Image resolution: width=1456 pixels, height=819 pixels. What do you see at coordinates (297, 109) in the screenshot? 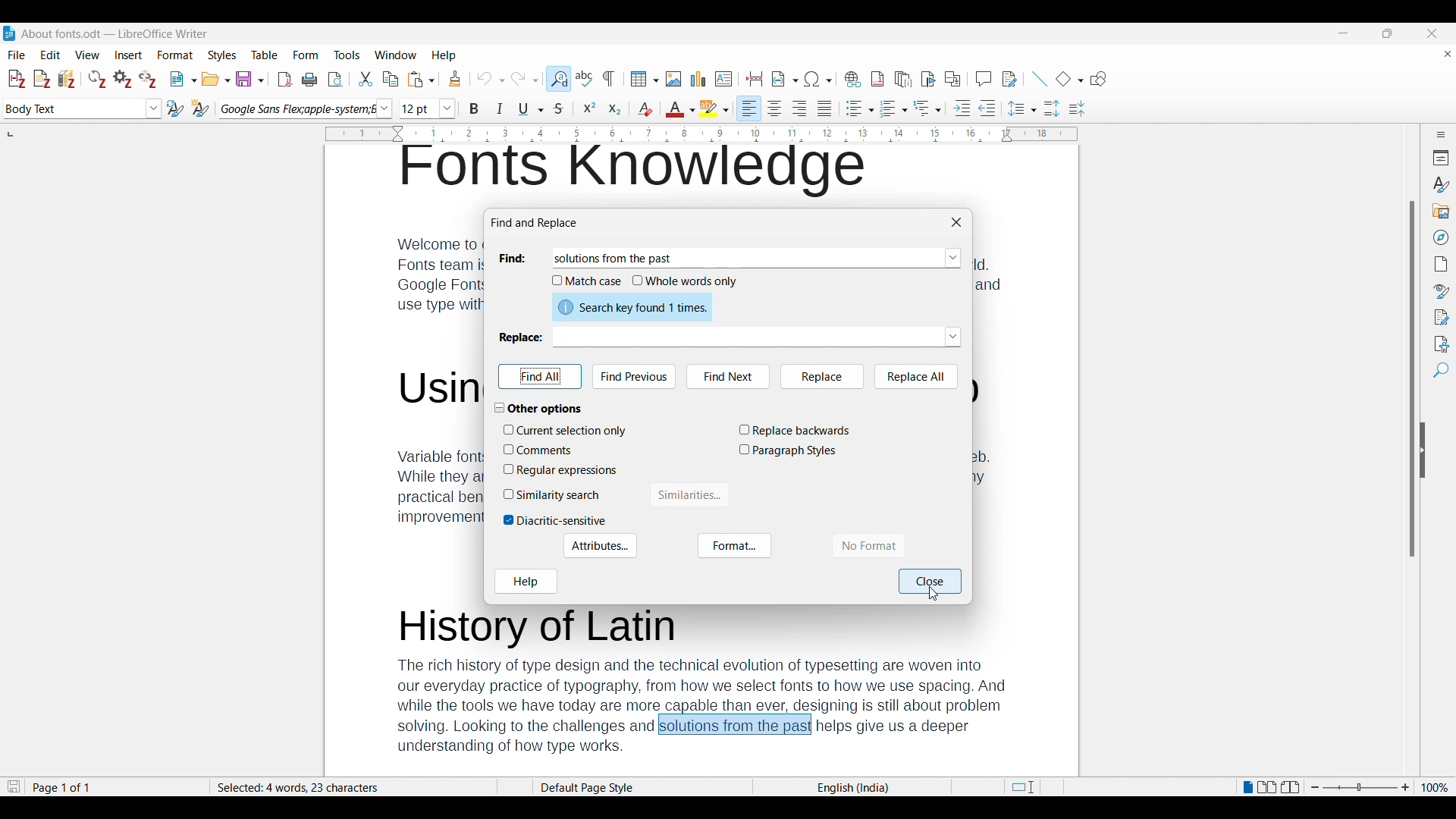
I see `Current font` at bounding box center [297, 109].